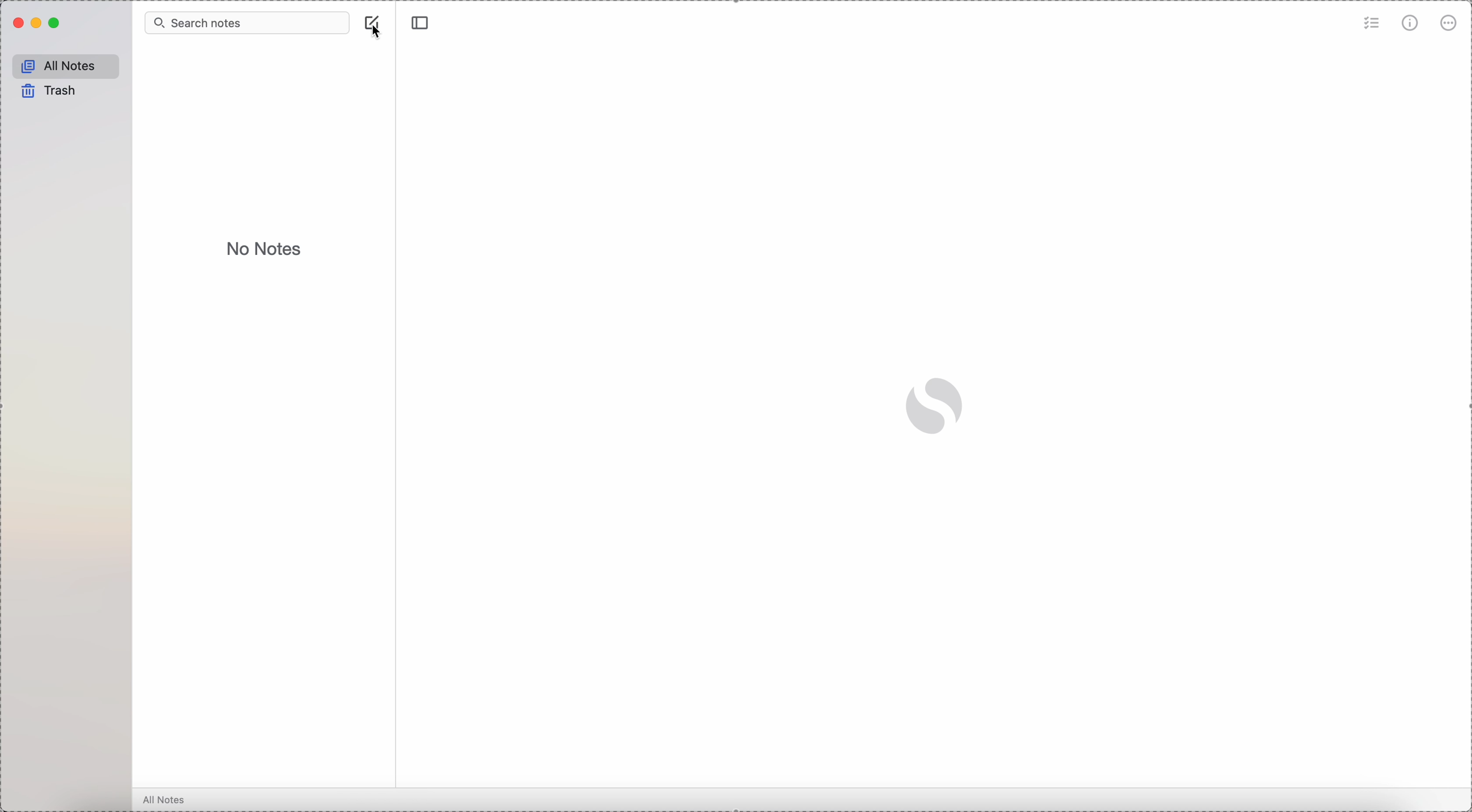 This screenshot has height=812, width=1472. I want to click on cursor, so click(375, 33).